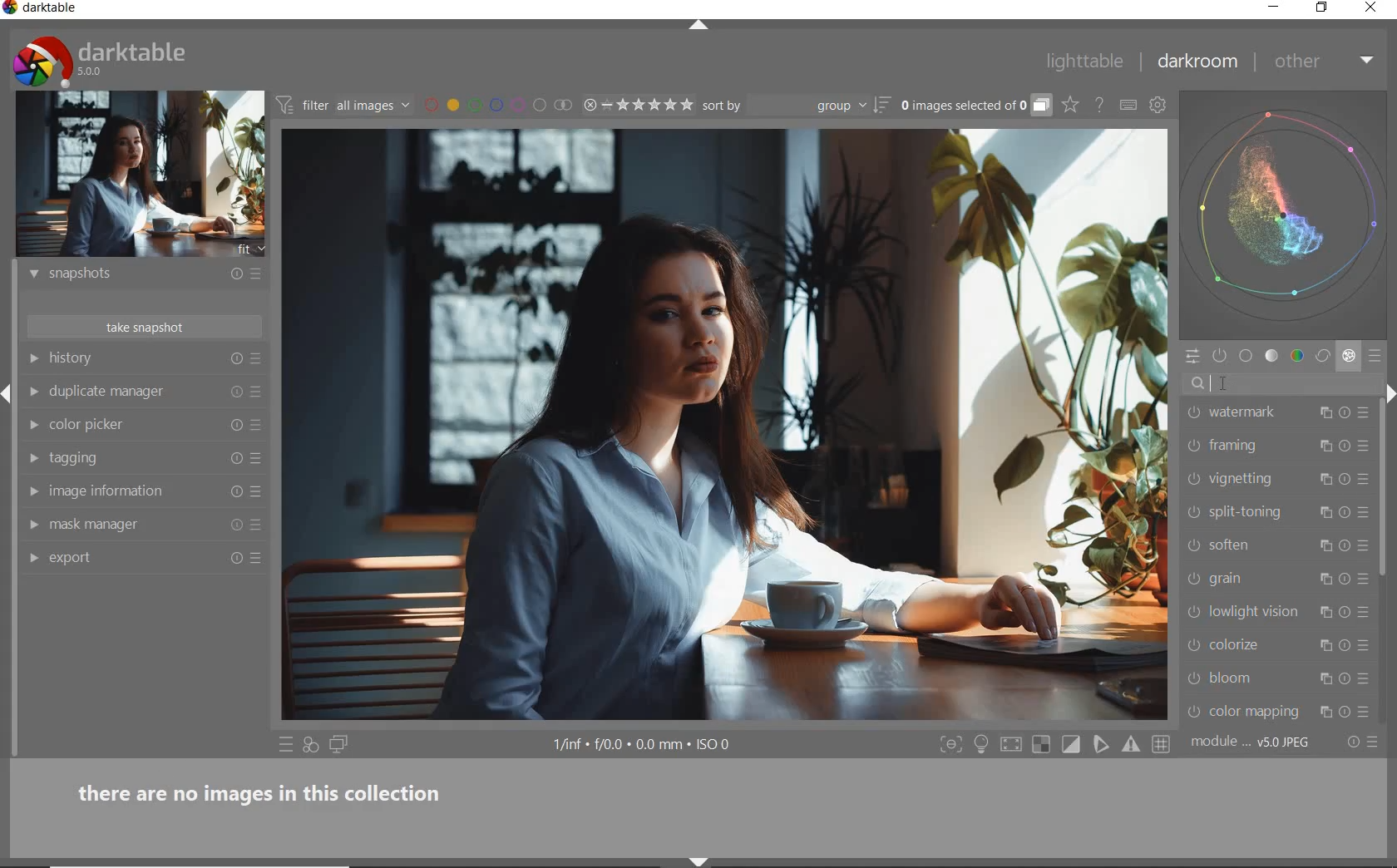 The height and width of the screenshot is (868, 1397). I want to click on export, so click(119, 559).